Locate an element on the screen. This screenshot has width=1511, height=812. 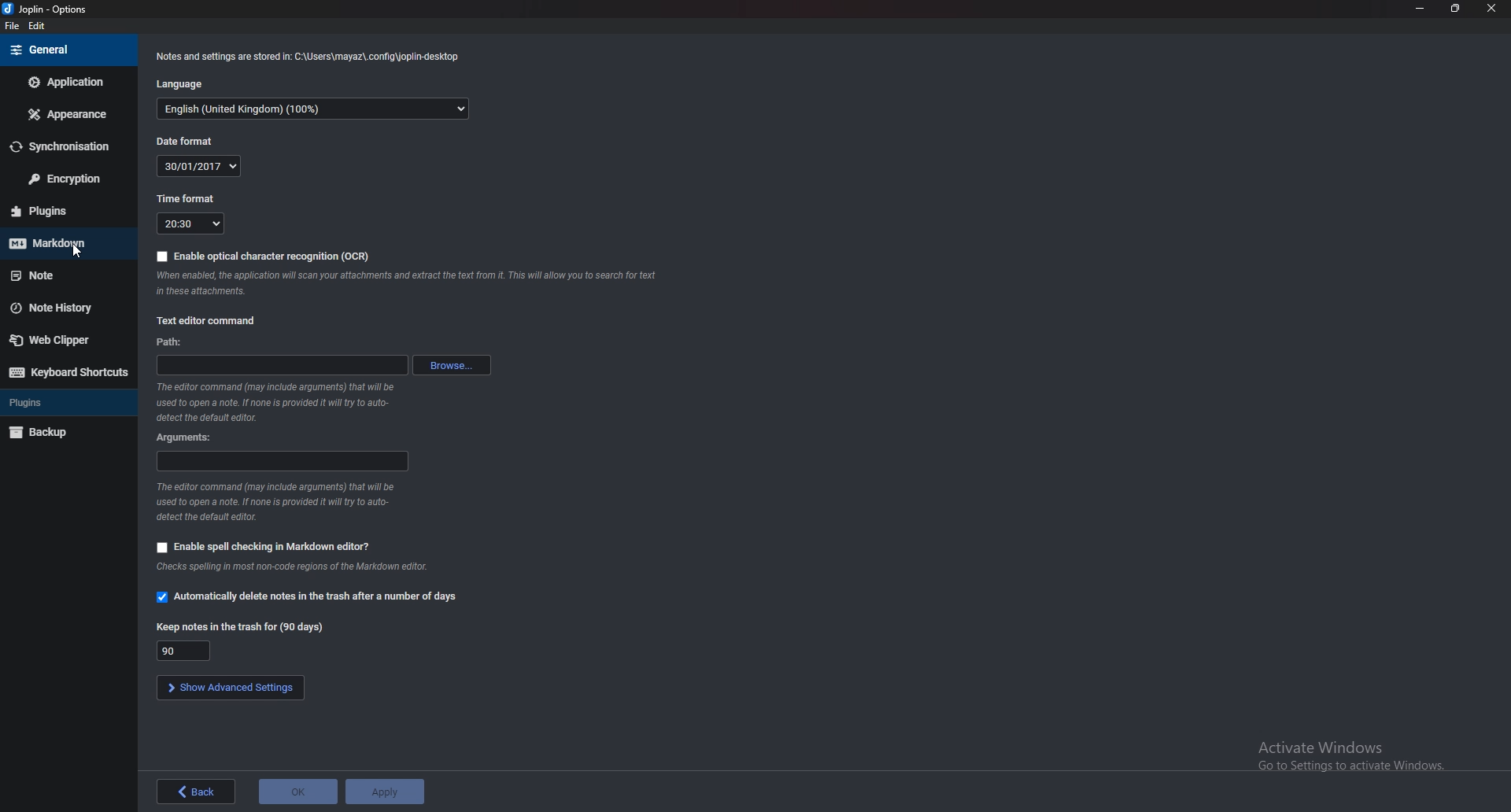
close is located at coordinates (1491, 10).